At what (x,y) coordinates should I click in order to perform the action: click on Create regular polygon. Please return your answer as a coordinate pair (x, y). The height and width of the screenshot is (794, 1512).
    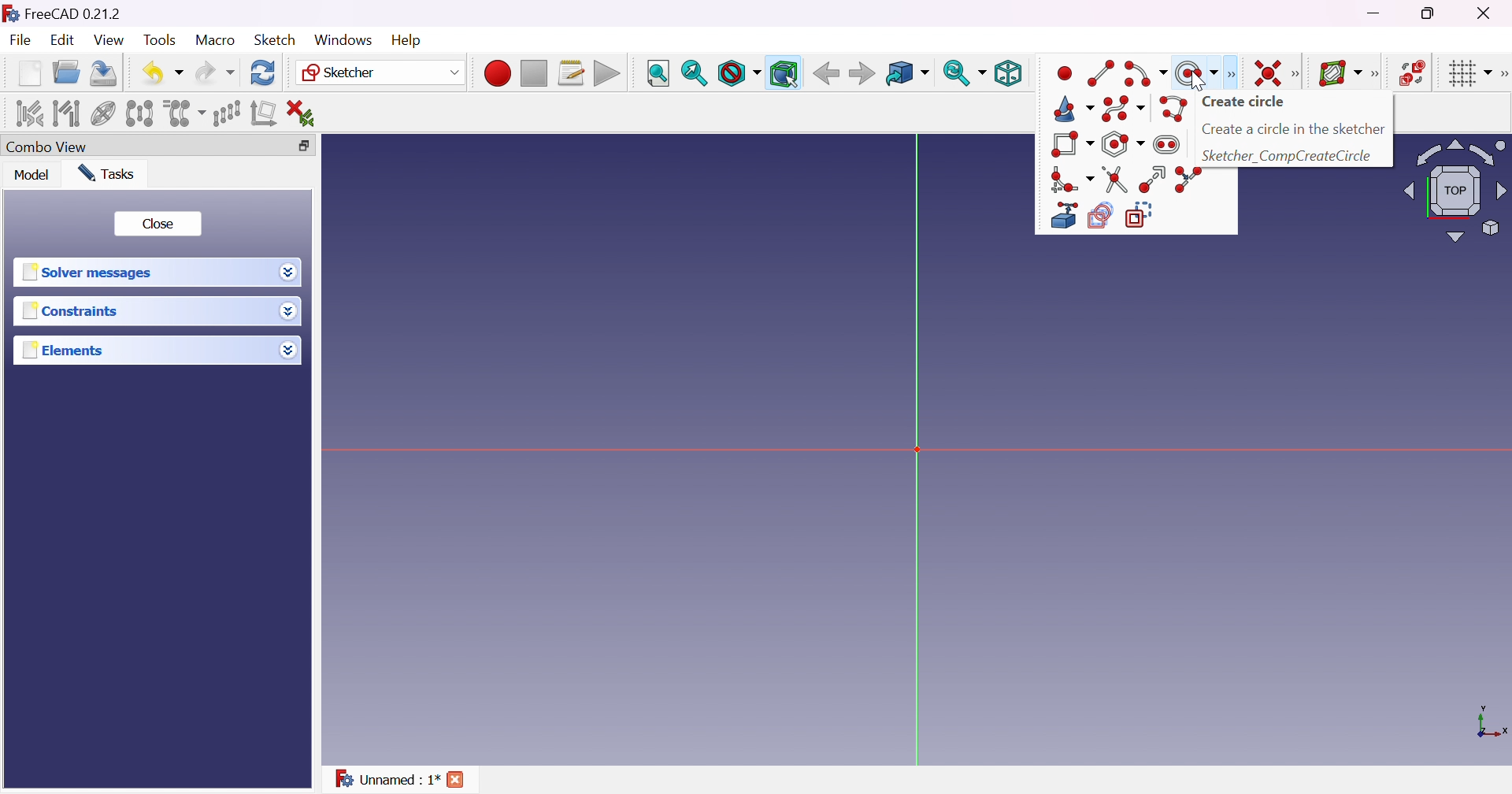
    Looking at the image, I should click on (1124, 143).